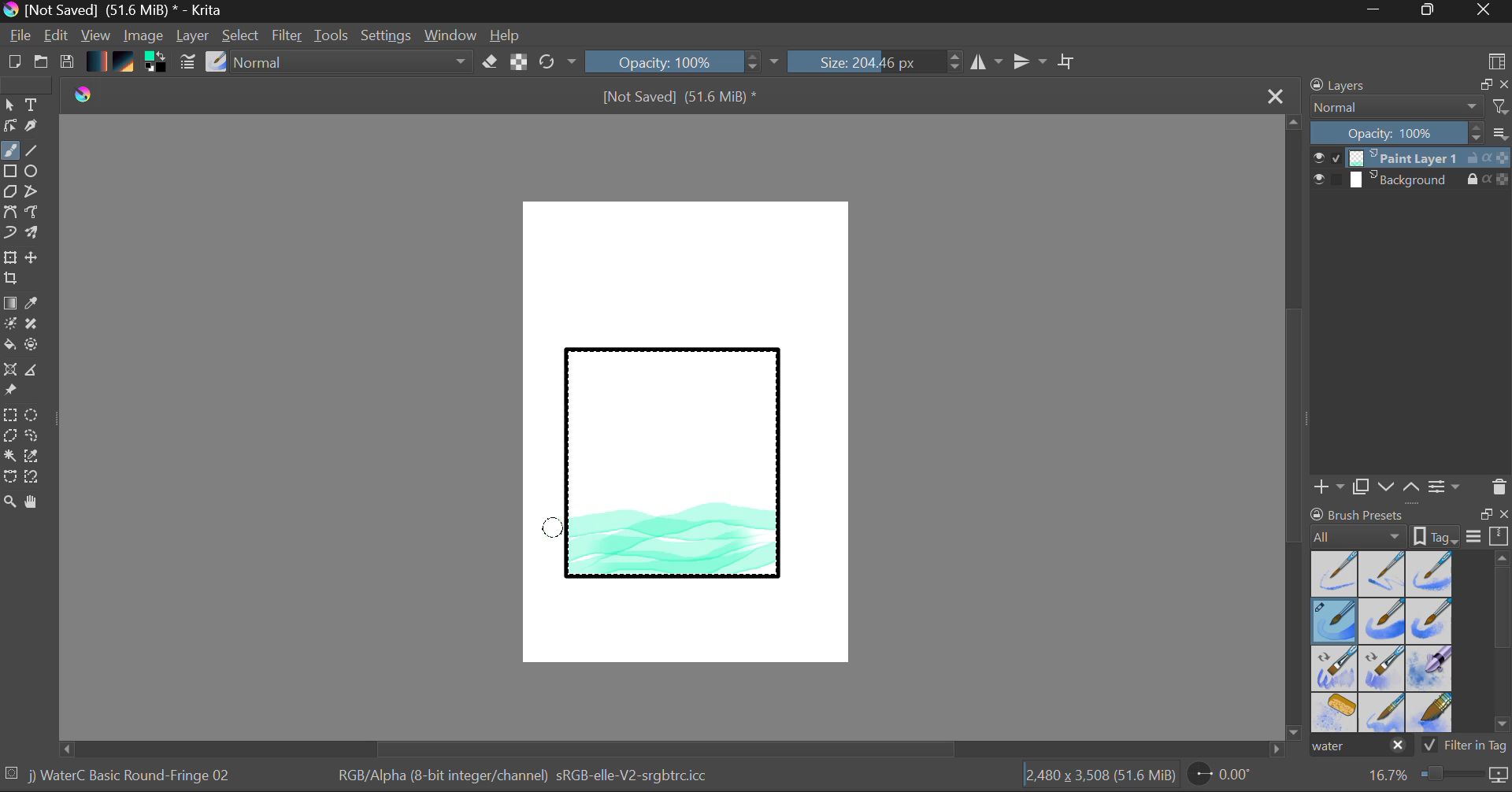 The image size is (1512, 792). Describe the element at coordinates (1362, 487) in the screenshot. I see `Copy Layer` at that location.